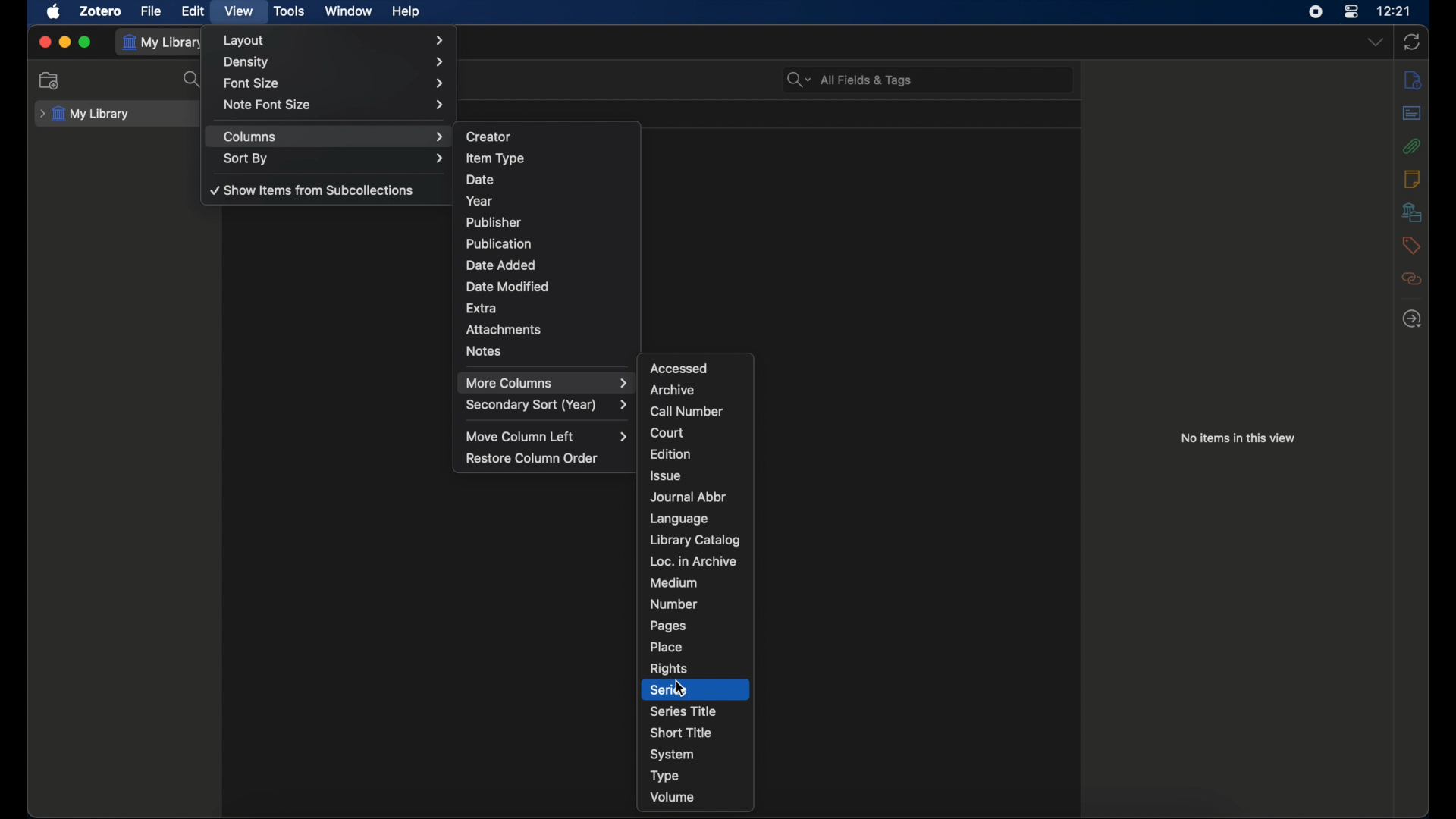  Describe the element at coordinates (502, 265) in the screenshot. I see `date added` at that location.